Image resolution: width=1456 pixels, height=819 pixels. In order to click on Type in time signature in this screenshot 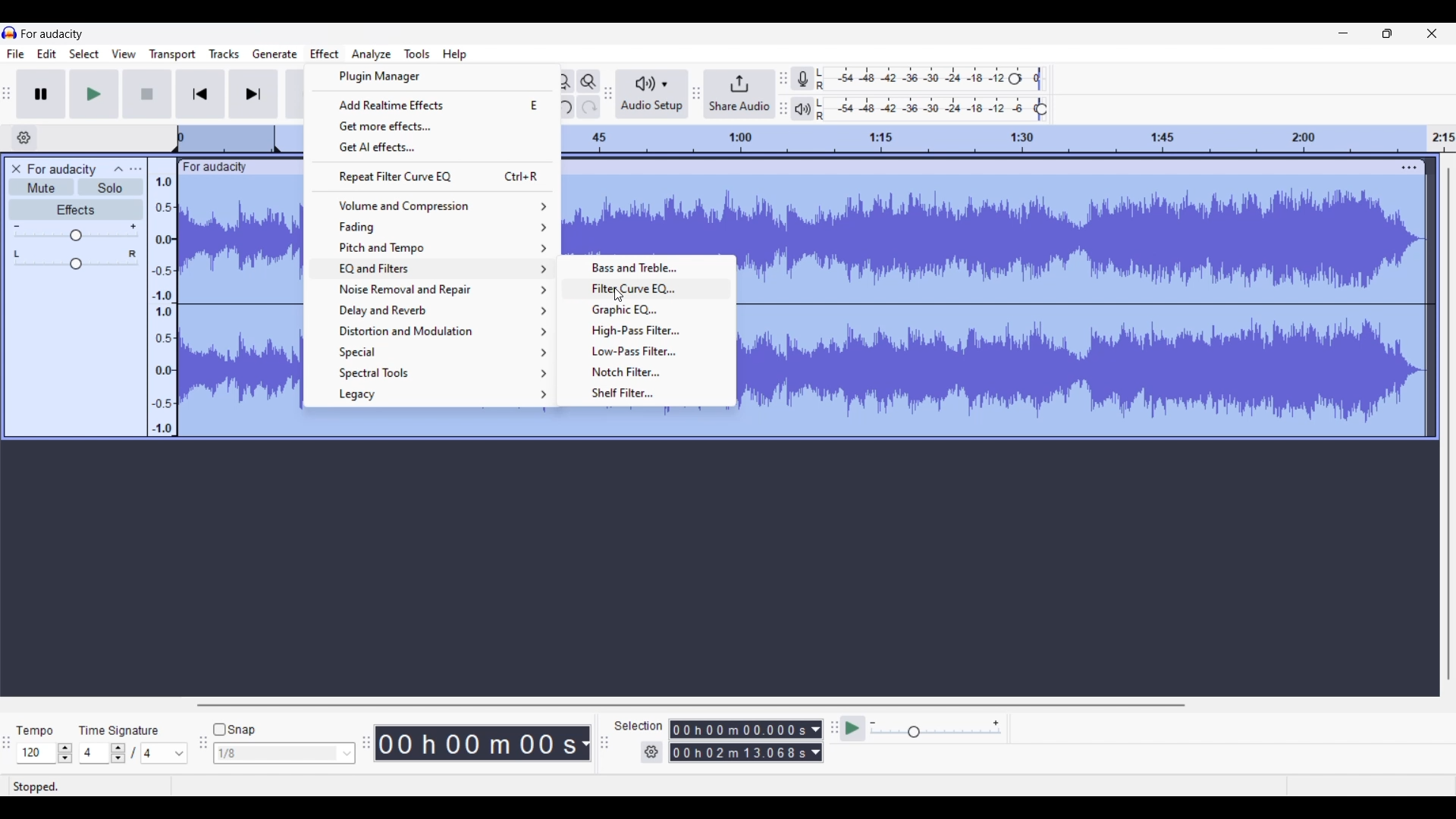, I will do `click(96, 754)`.